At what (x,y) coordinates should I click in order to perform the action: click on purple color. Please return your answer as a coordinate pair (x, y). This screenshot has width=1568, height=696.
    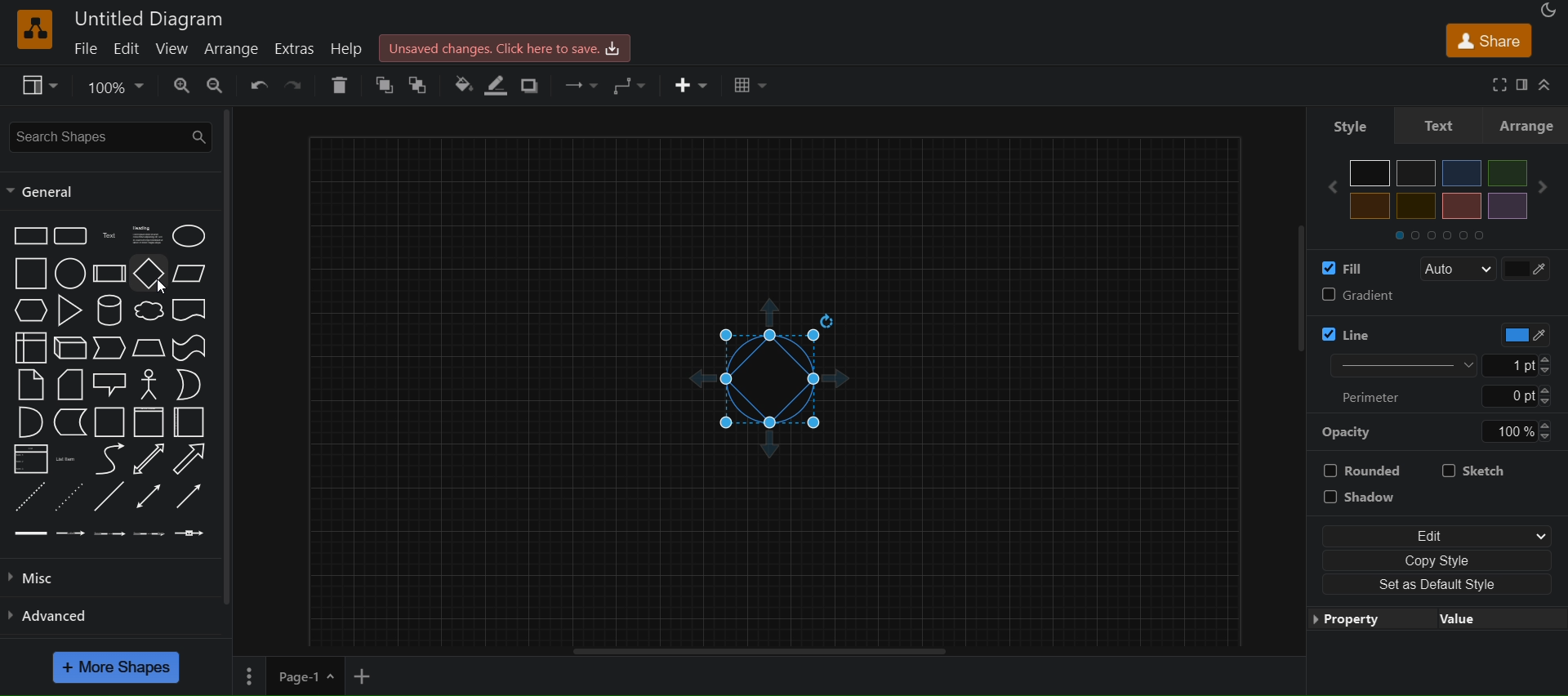
    Looking at the image, I should click on (1506, 205).